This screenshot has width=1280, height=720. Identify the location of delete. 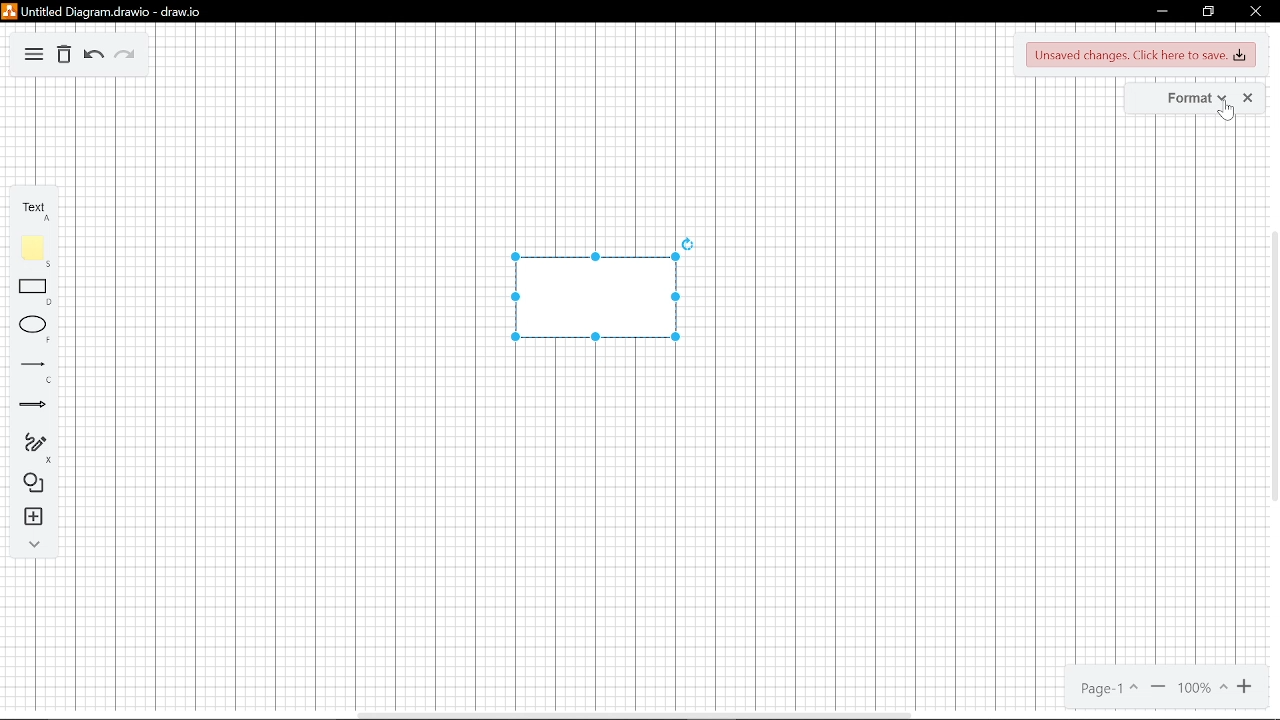
(62, 55).